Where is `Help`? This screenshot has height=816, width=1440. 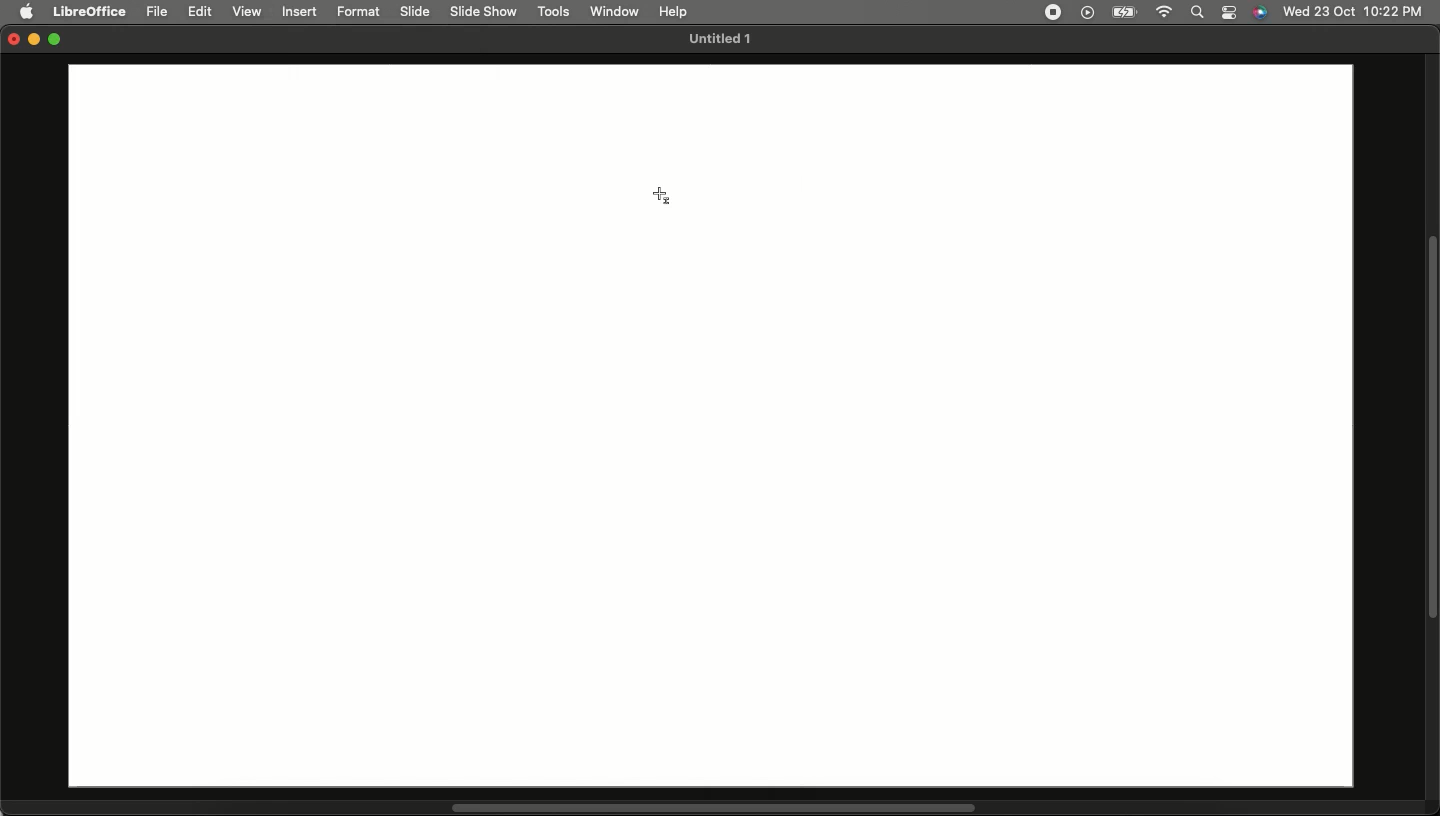
Help is located at coordinates (673, 9).